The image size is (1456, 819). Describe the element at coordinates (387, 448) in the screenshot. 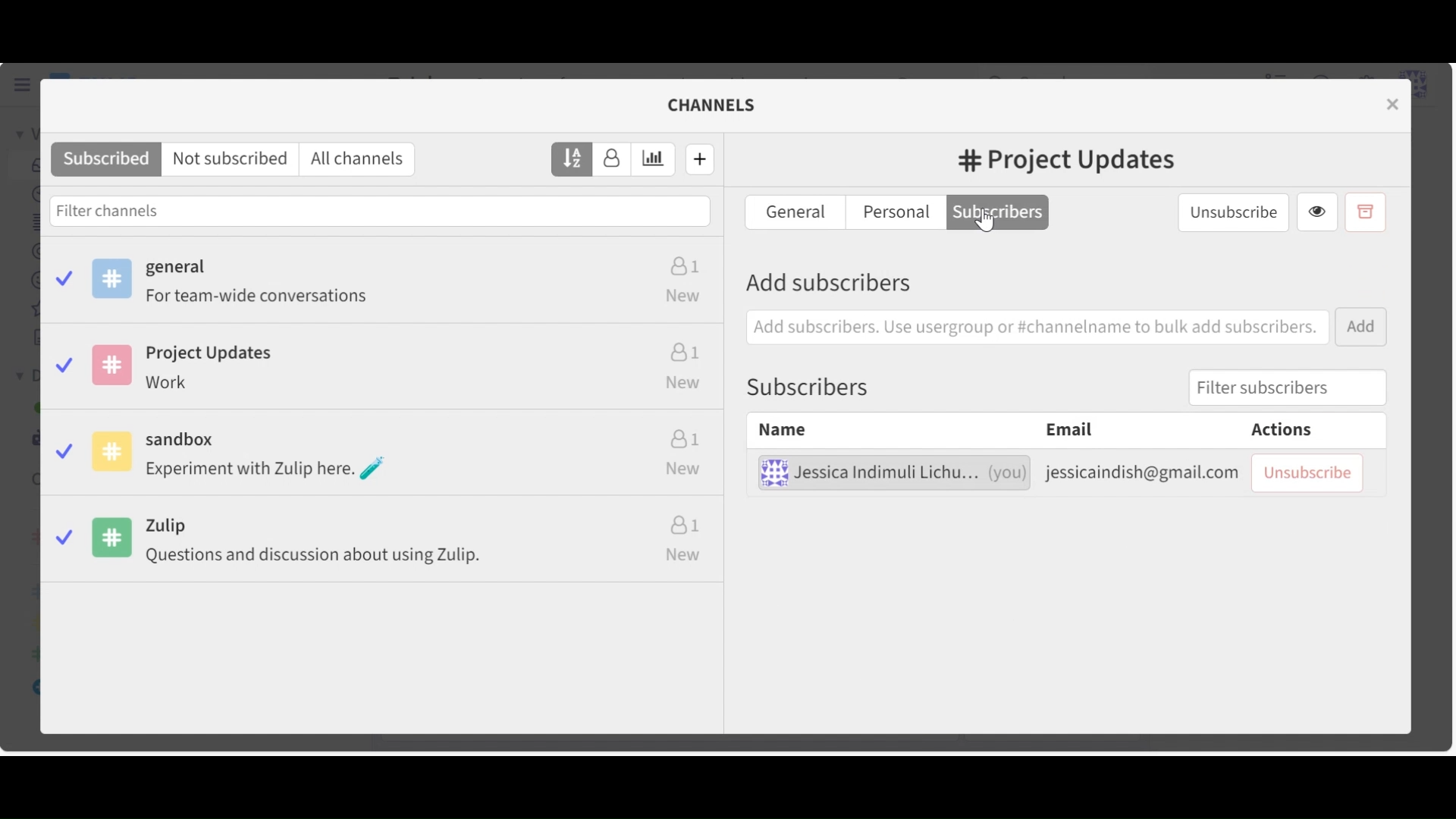

I see `sandbox` at that location.